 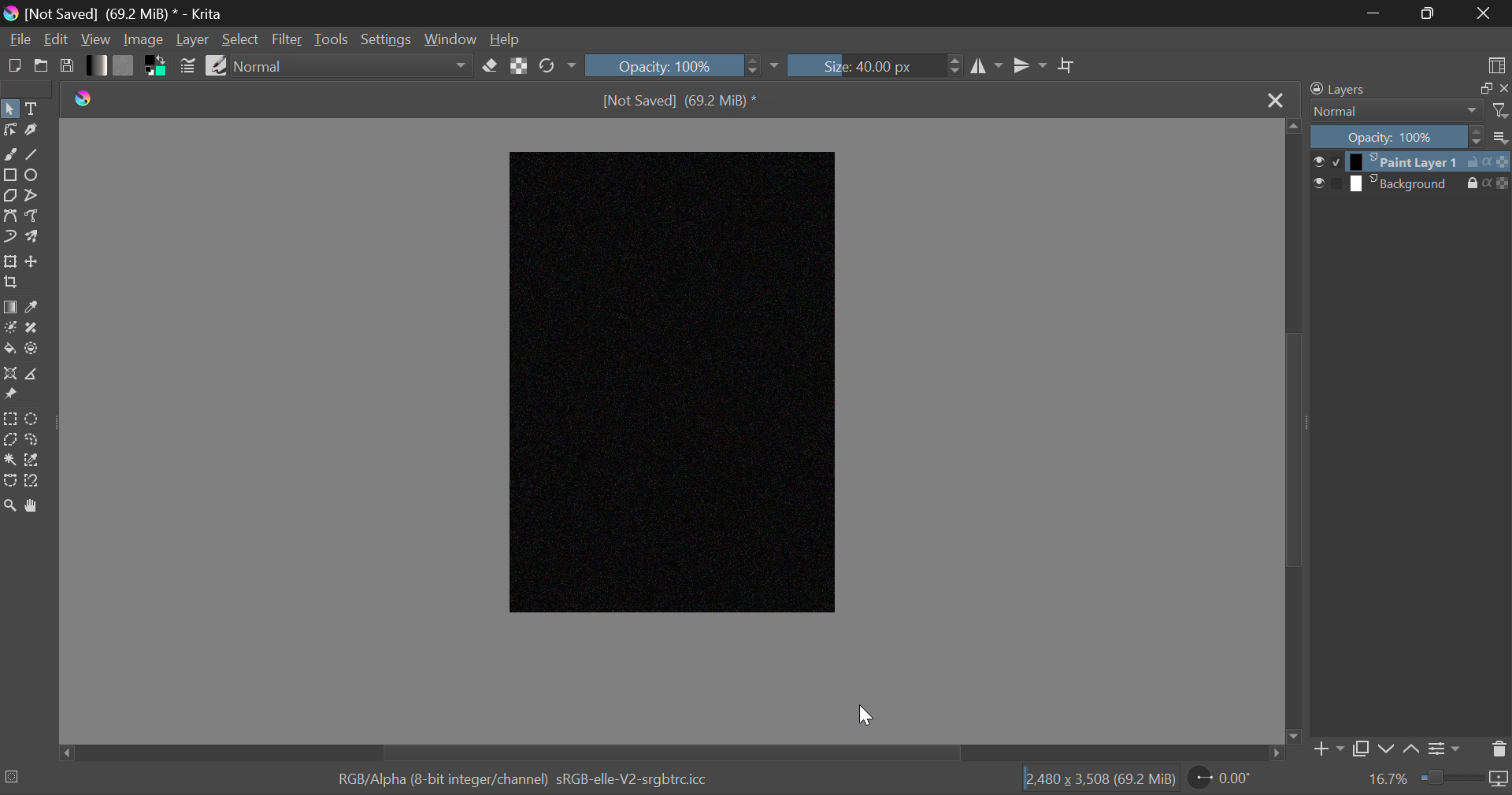 I want to click on Brush Presets, so click(x=216, y=65).